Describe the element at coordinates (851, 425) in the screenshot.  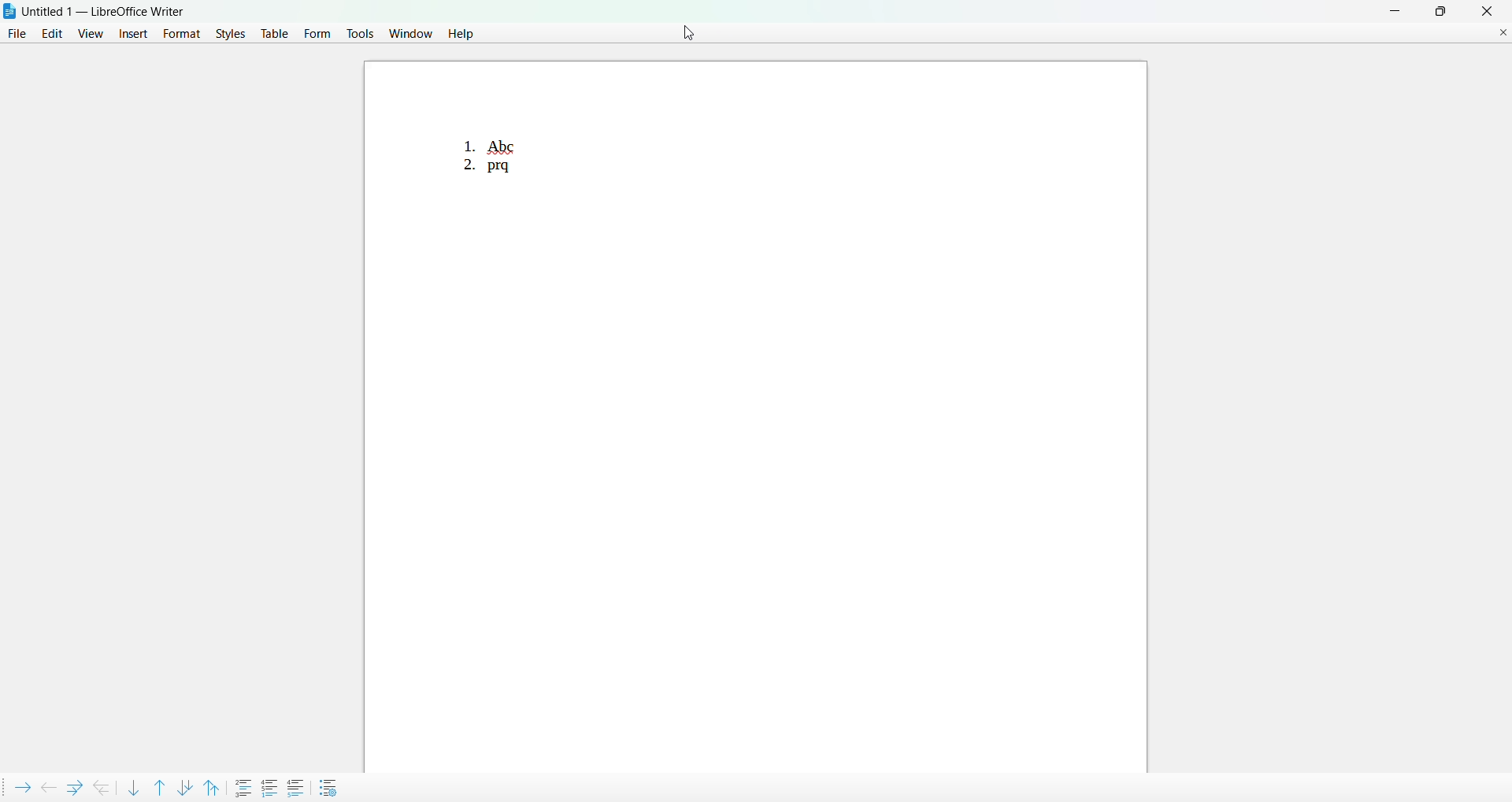
I see `canvas` at that location.